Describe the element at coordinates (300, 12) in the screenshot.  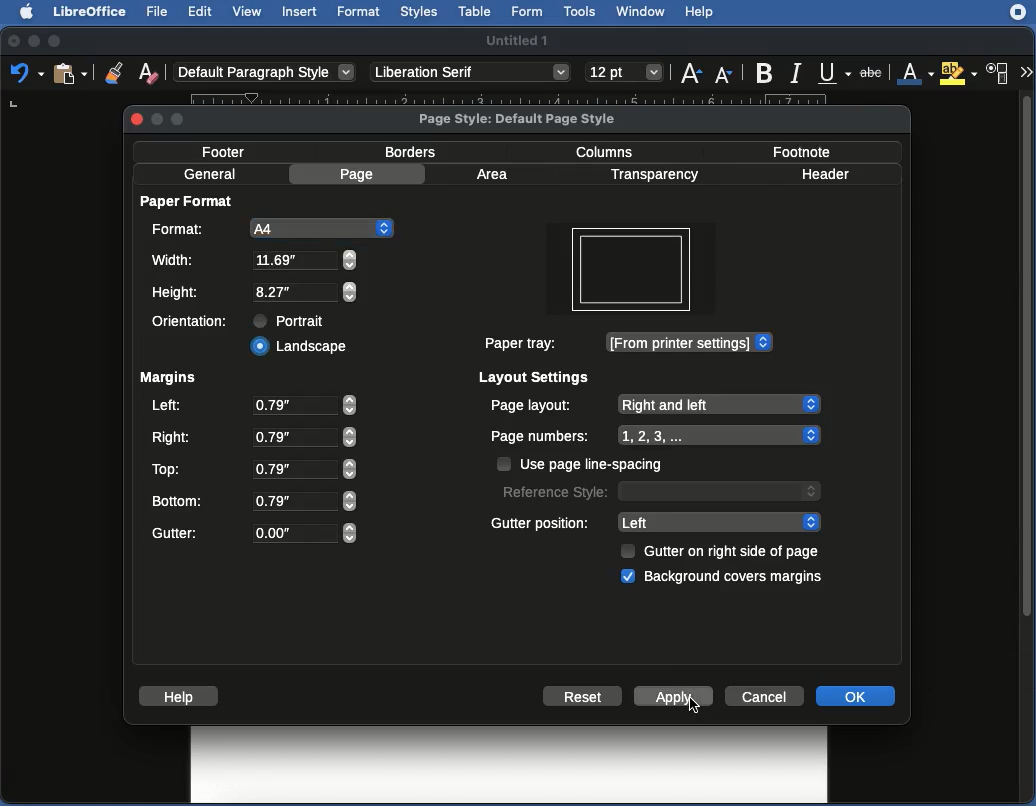
I see `Insert` at that location.